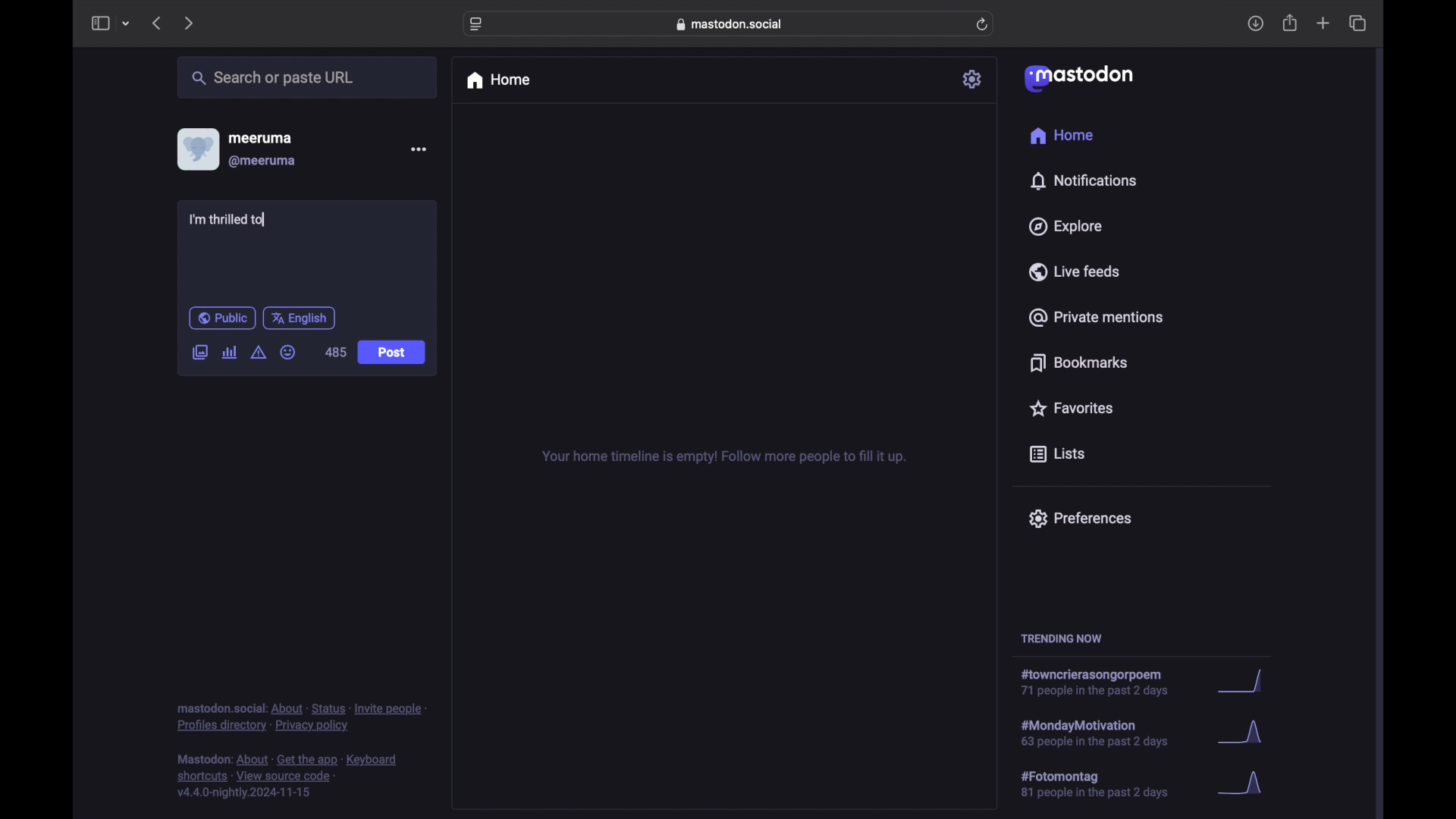  What do you see at coordinates (1323, 23) in the screenshot?
I see `new tab overview` at bounding box center [1323, 23].